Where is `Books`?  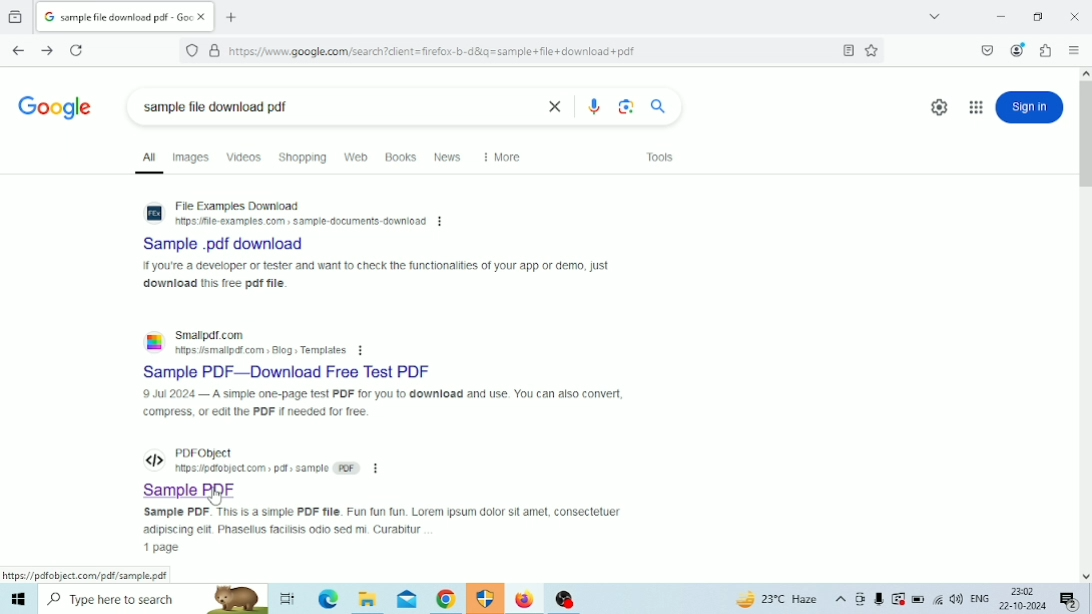 Books is located at coordinates (401, 157).